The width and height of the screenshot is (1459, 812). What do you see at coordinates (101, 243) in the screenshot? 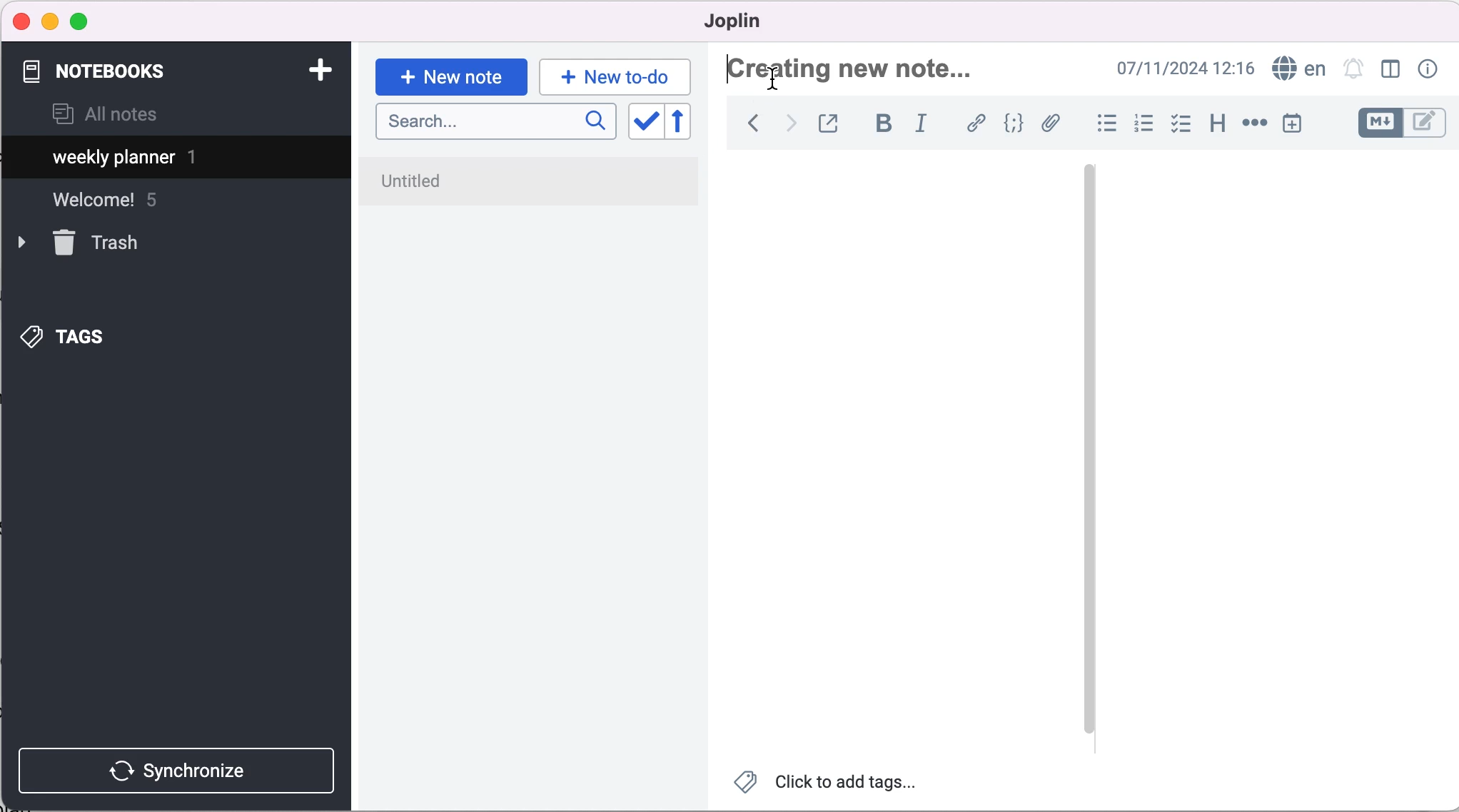
I see `trash` at bounding box center [101, 243].